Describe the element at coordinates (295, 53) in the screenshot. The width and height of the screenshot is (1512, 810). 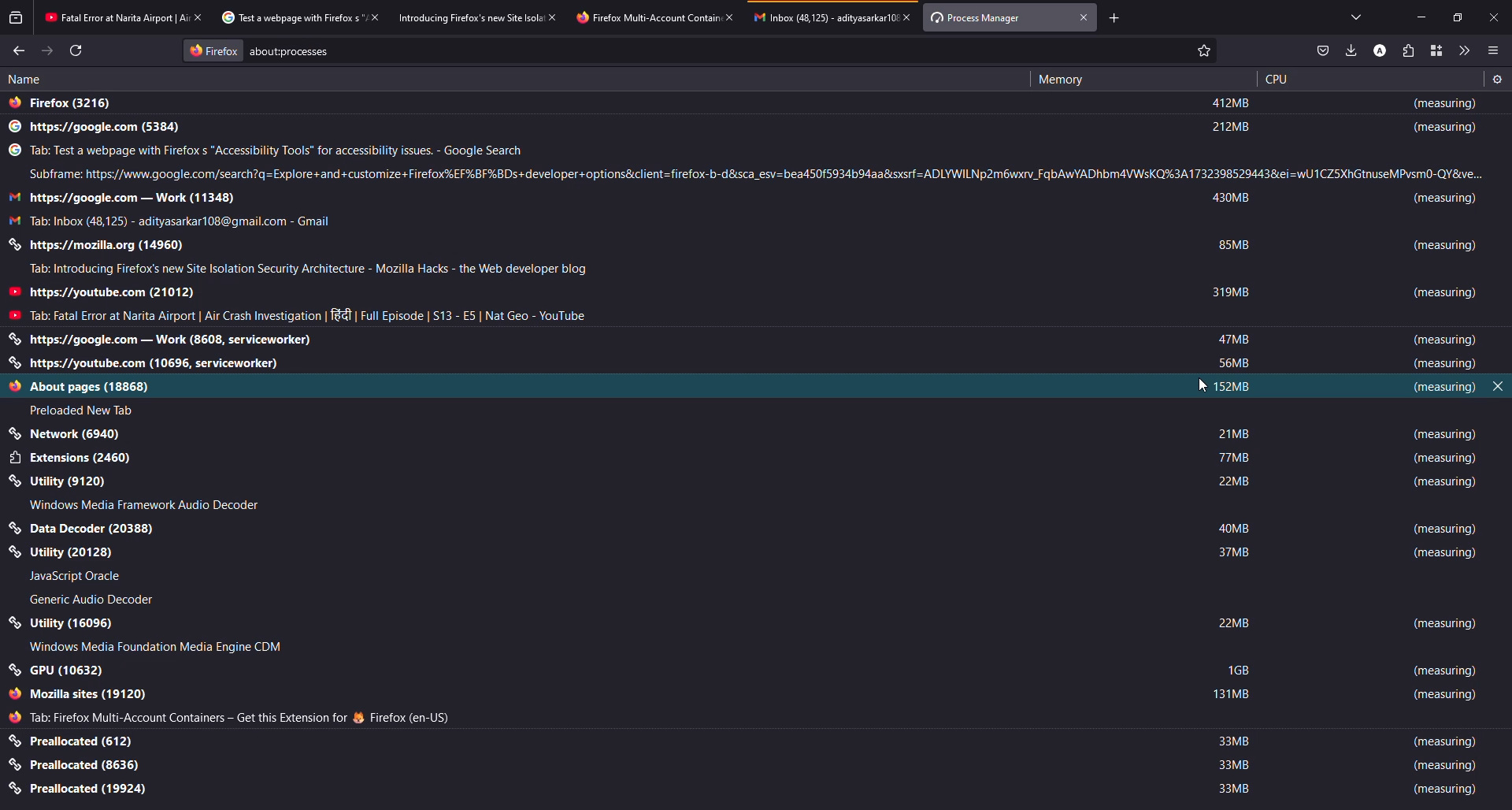
I see `about:process` at that location.